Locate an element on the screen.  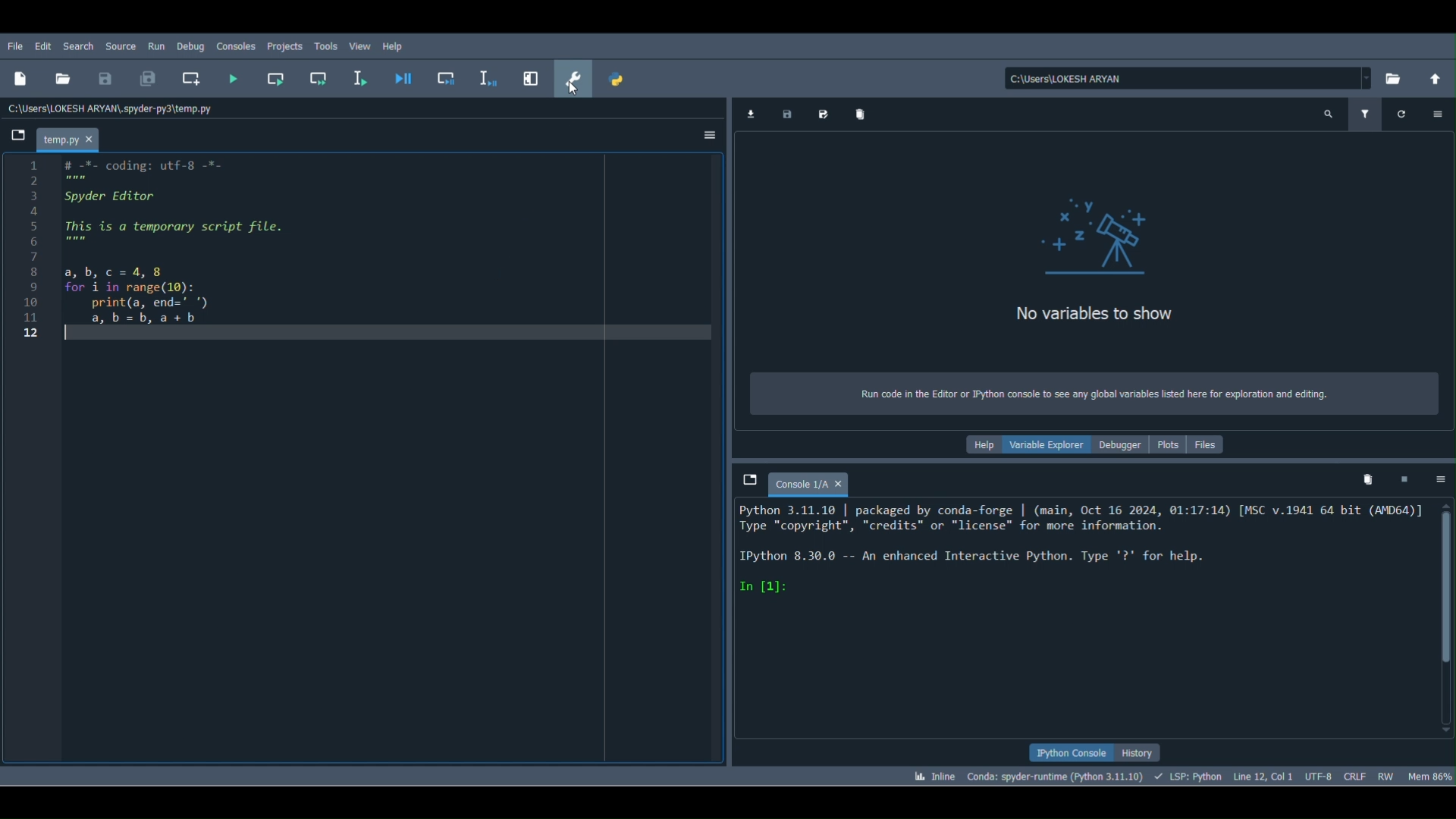
Debugger is located at coordinates (1124, 444).